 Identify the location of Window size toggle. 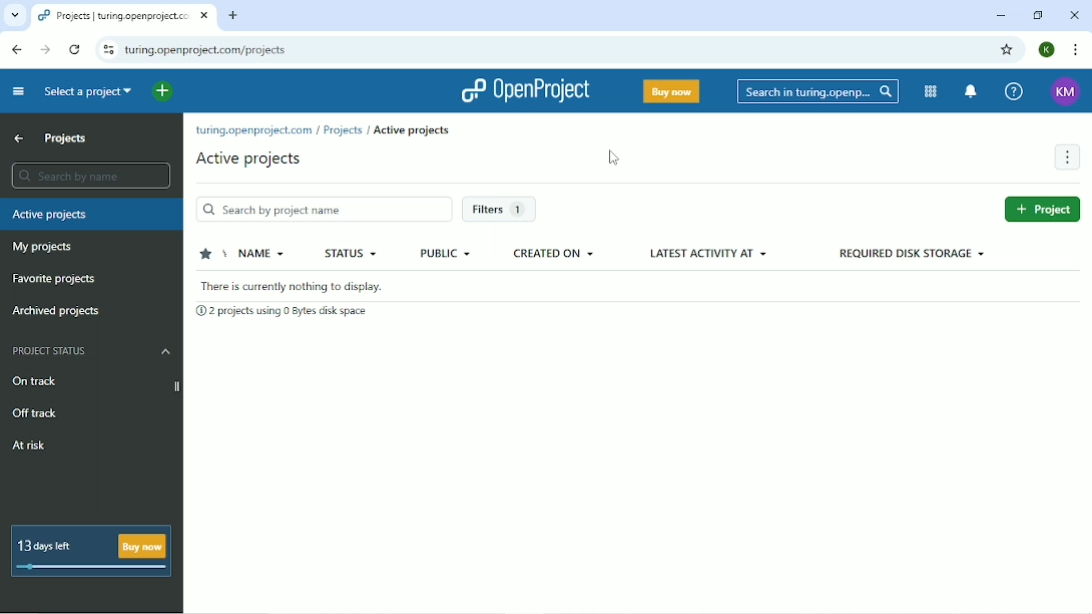
(1038, 15).